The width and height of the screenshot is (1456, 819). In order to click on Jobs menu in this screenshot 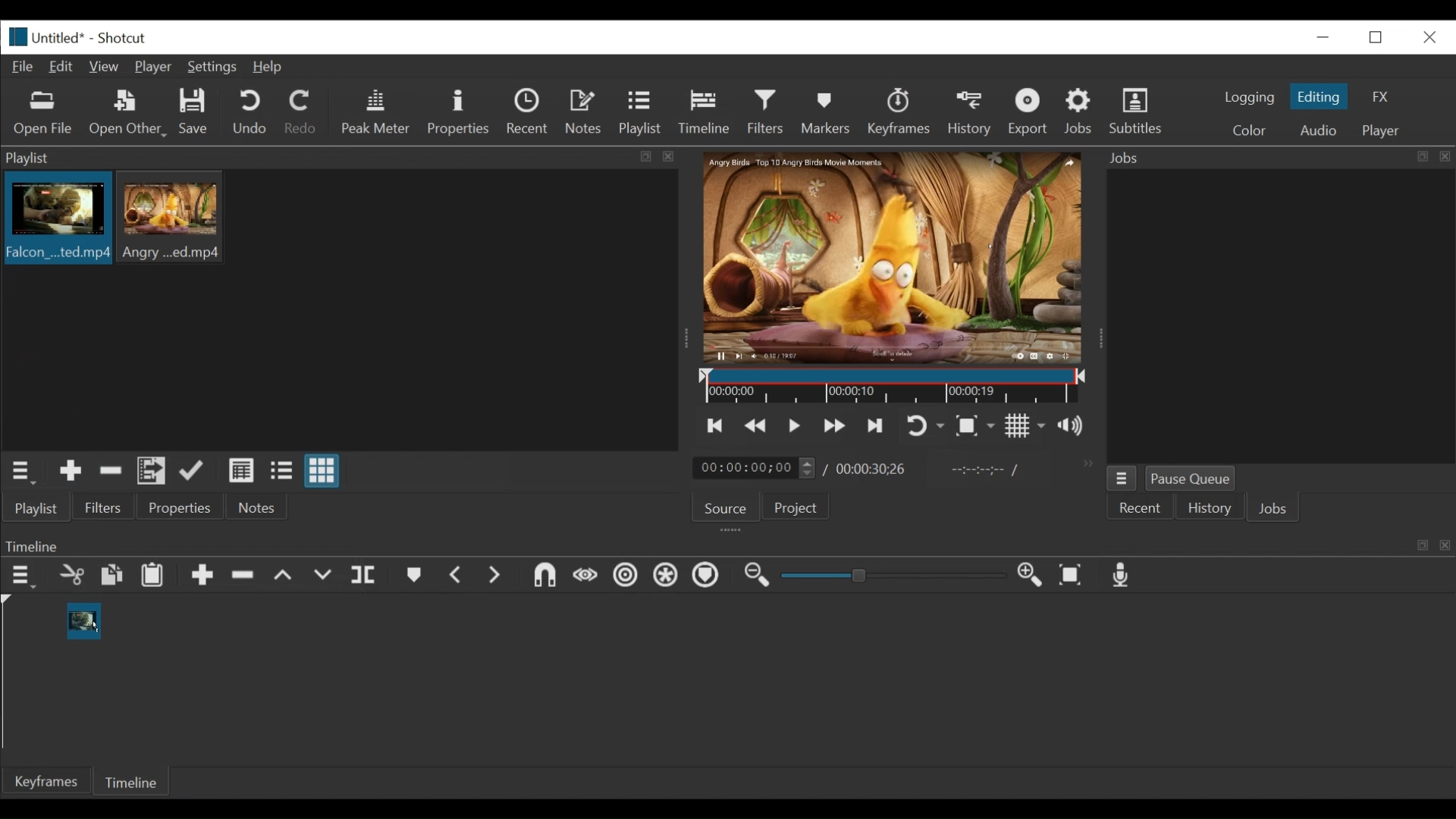, I will do `click(1269, 156)`.